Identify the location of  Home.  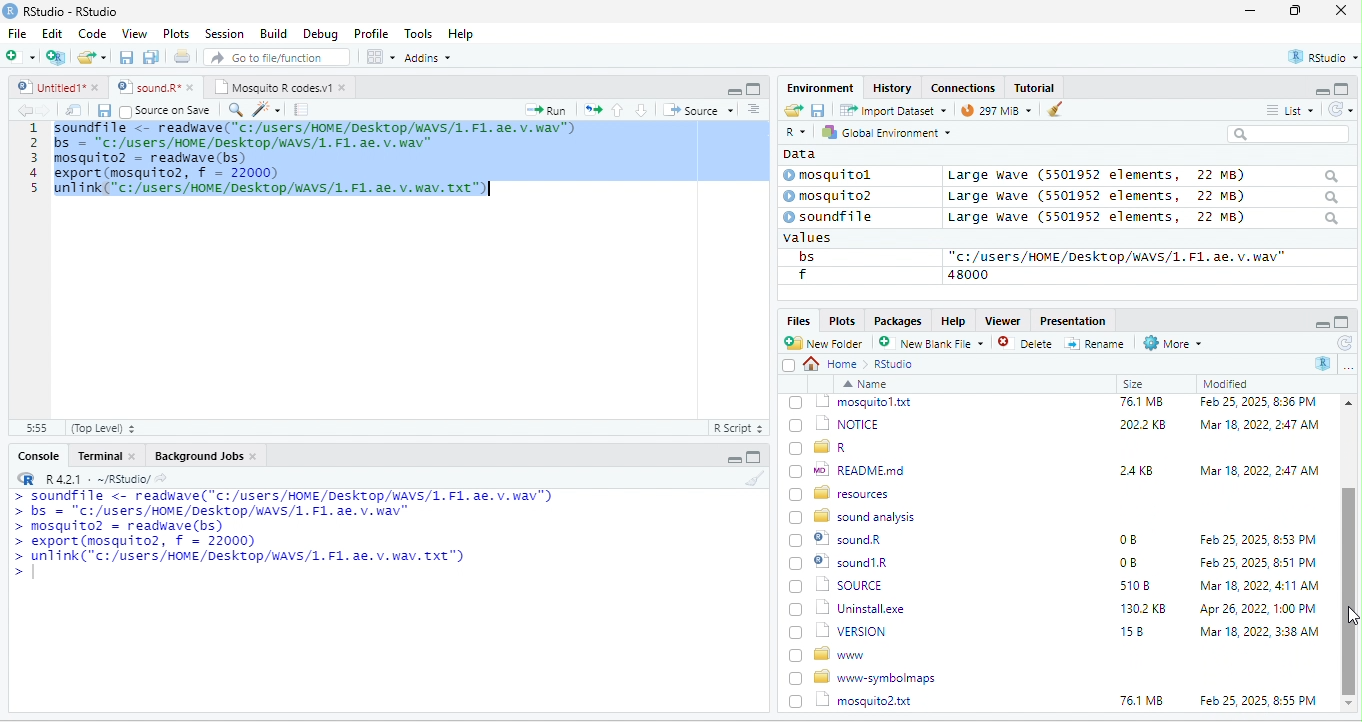
(836, 363).